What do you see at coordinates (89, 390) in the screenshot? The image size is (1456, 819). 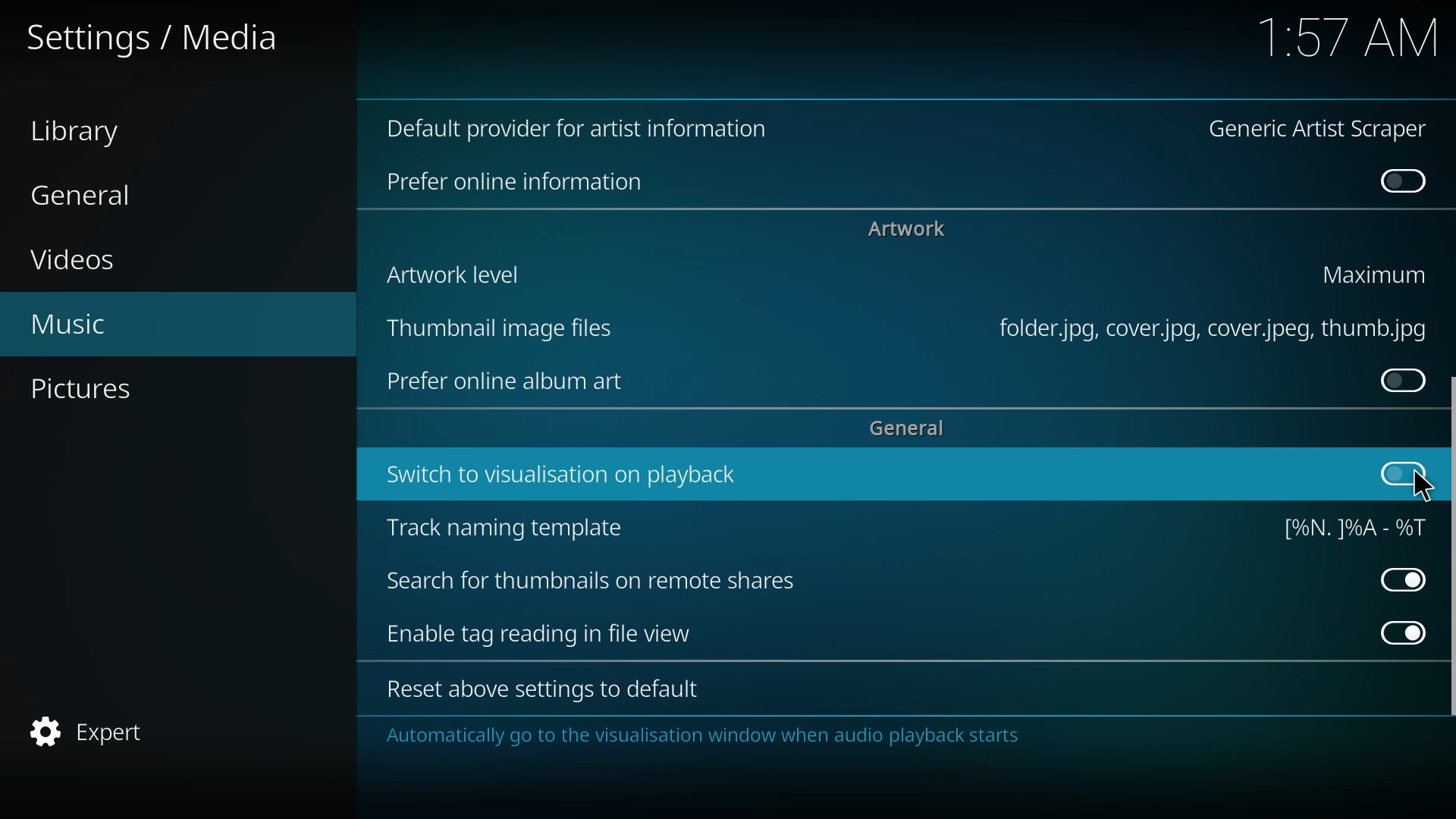 I see `pictures` at bounding box center [89, 390].